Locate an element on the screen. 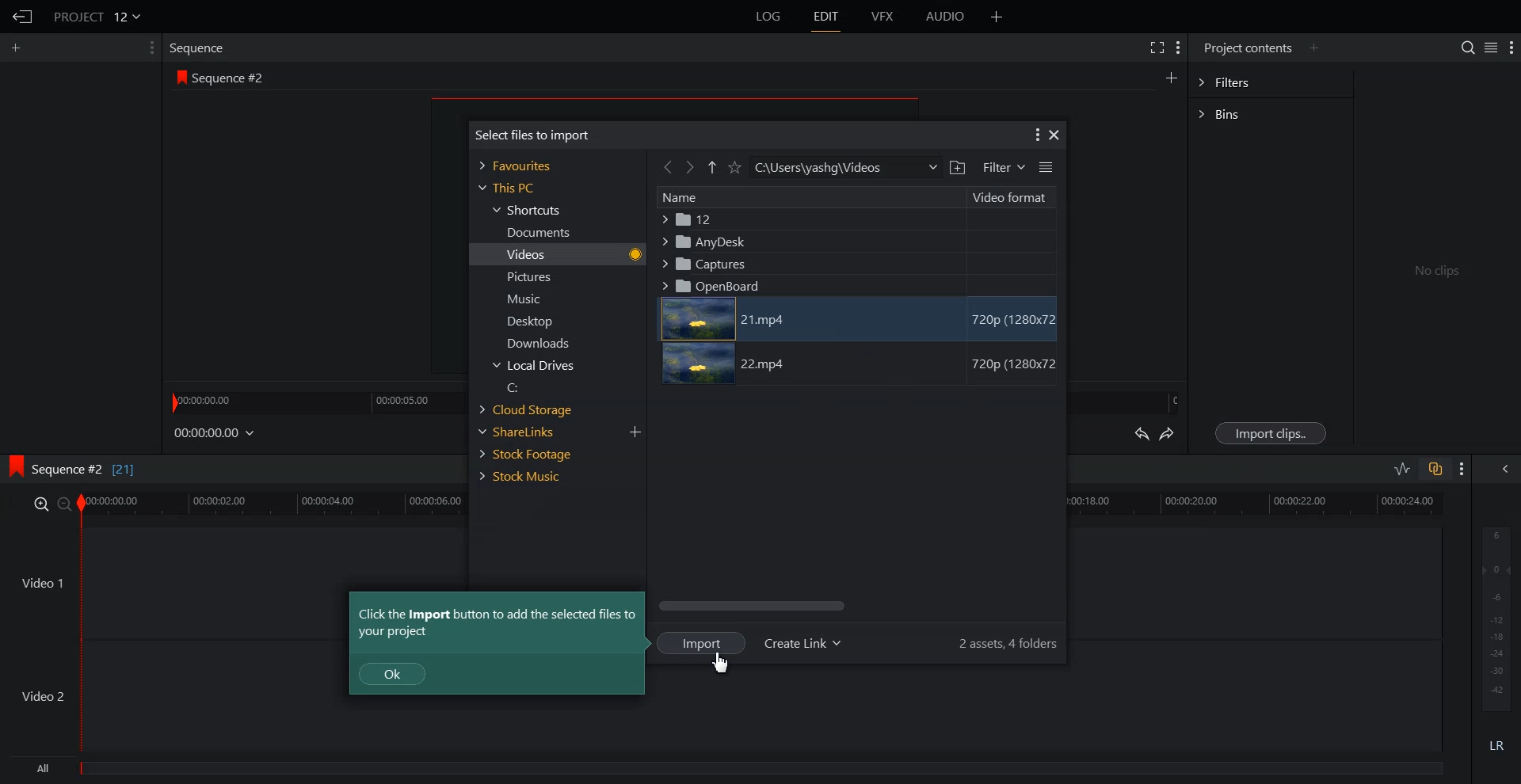  Video is located at coordinates (566, 254).